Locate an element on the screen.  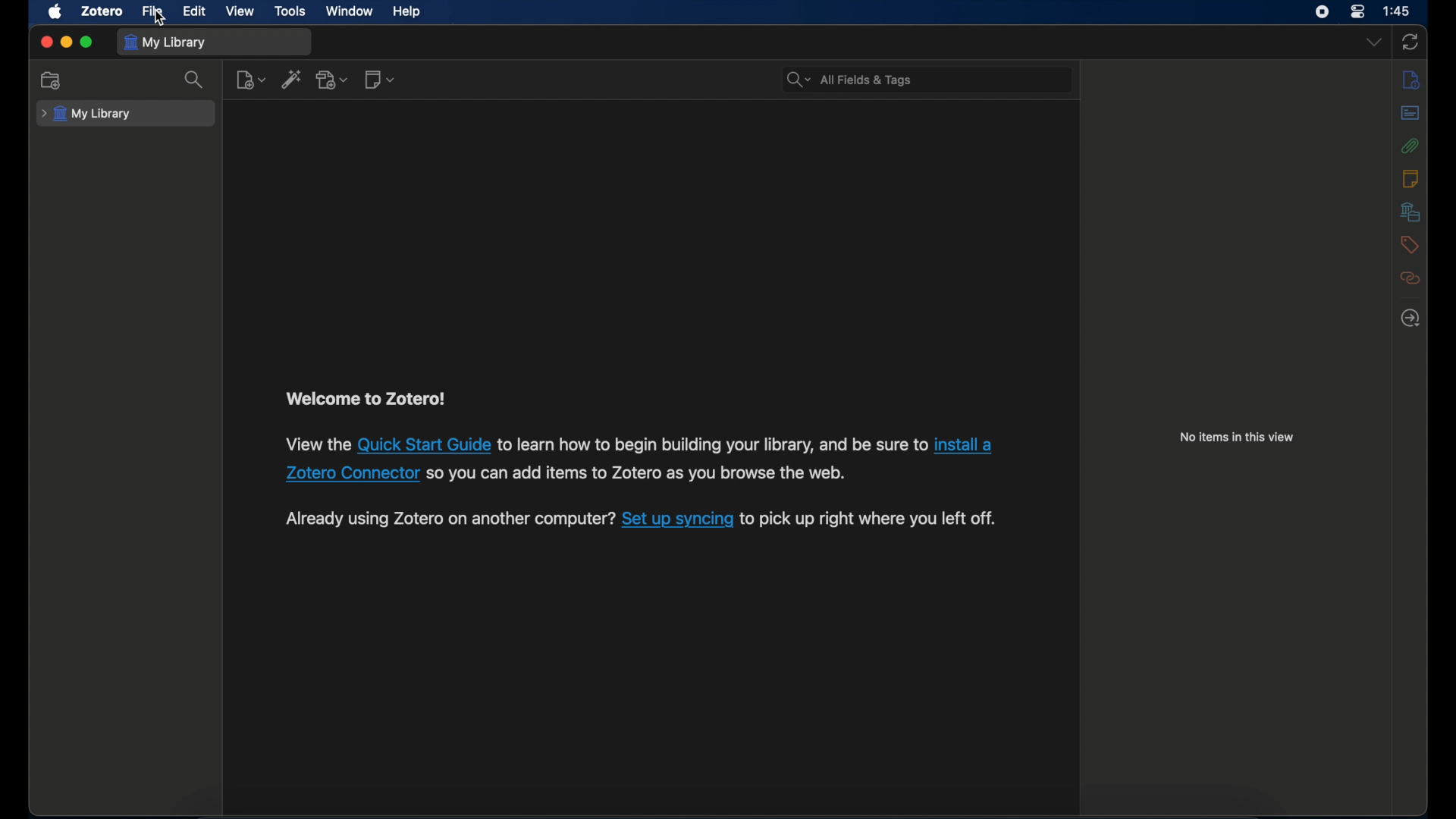
add attachment is located at coordinates (332, 79).